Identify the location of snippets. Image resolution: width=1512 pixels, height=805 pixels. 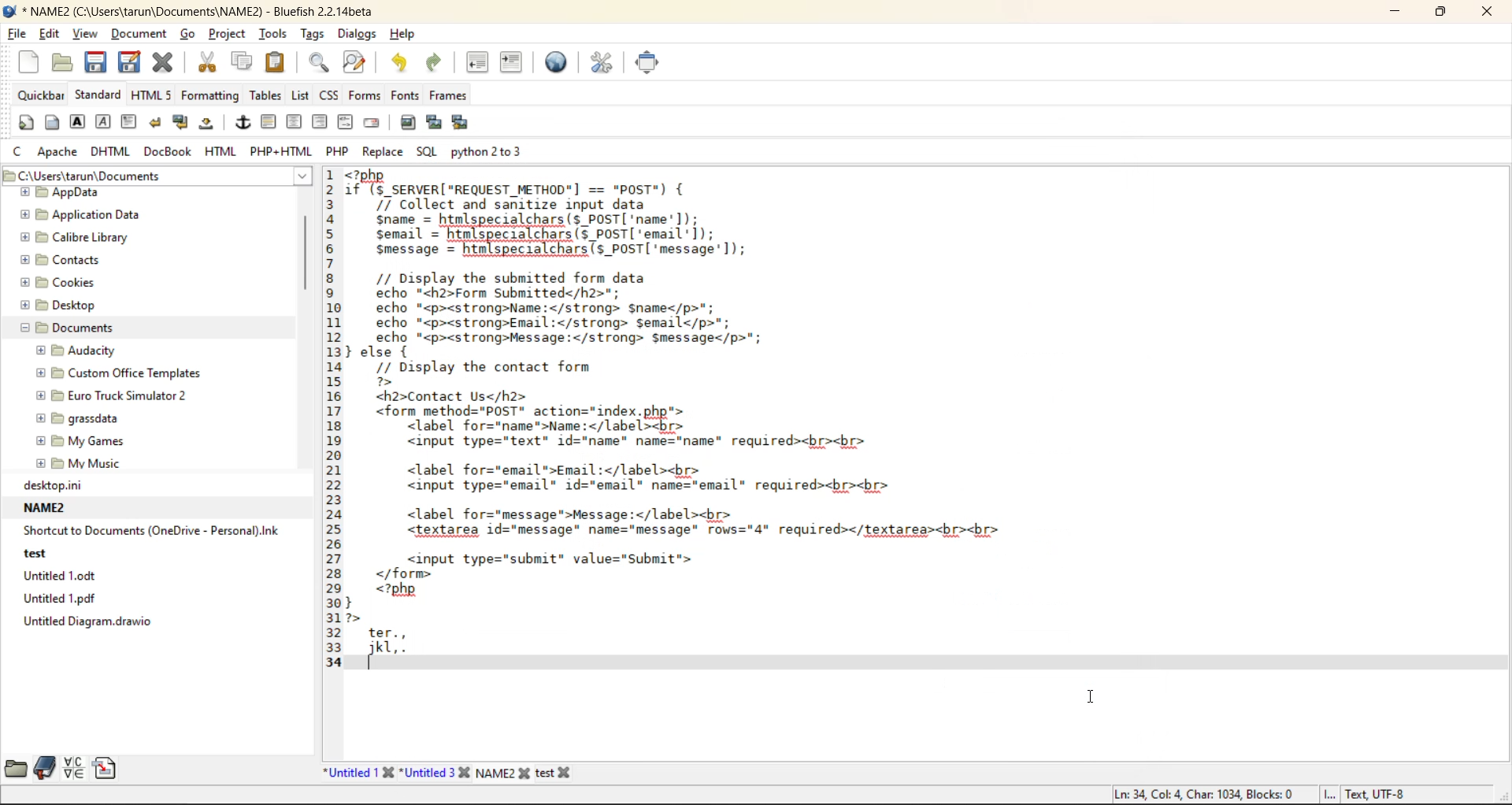
(104, 768).